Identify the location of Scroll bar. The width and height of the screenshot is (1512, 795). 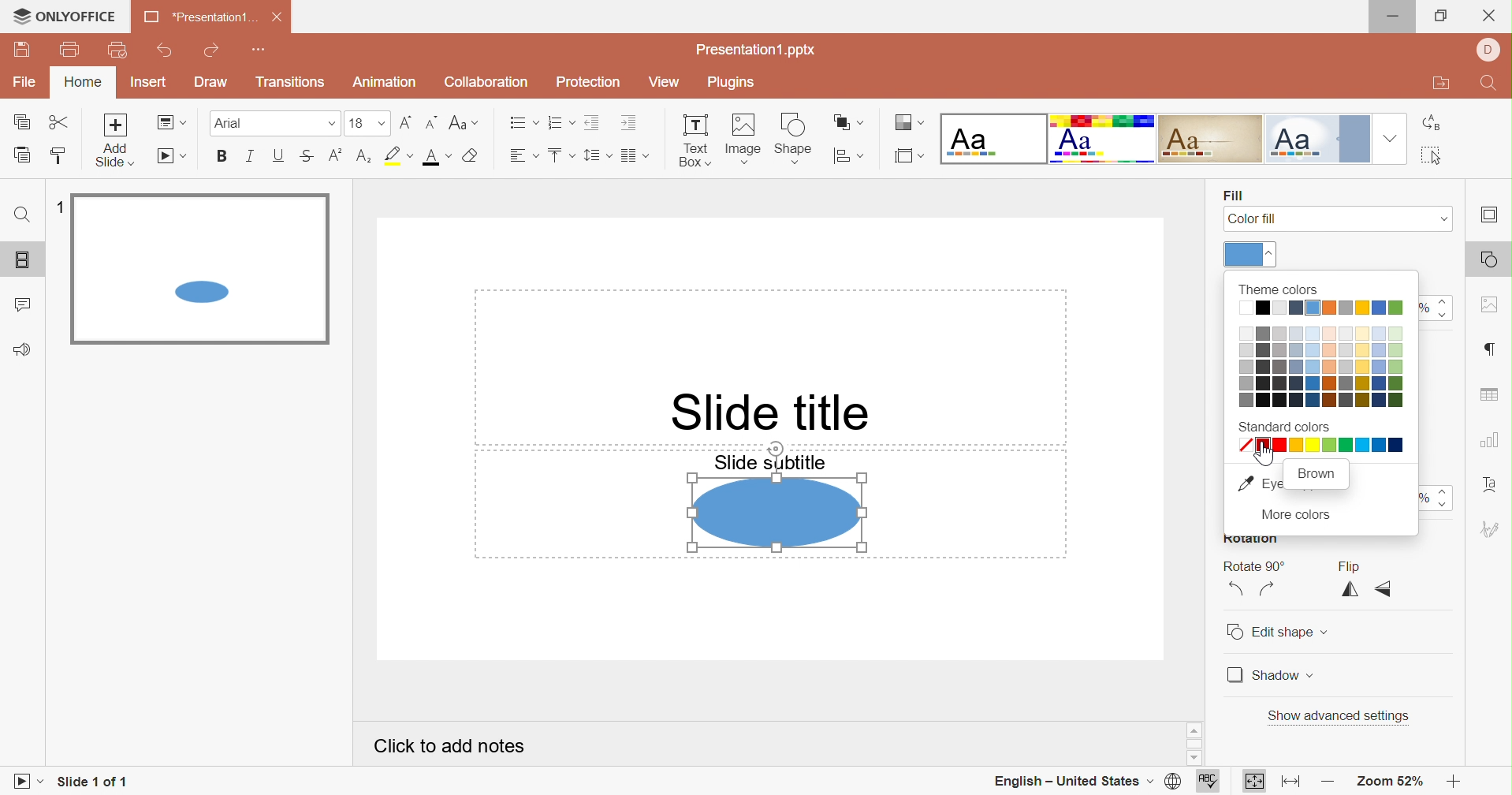
(1199, 745).